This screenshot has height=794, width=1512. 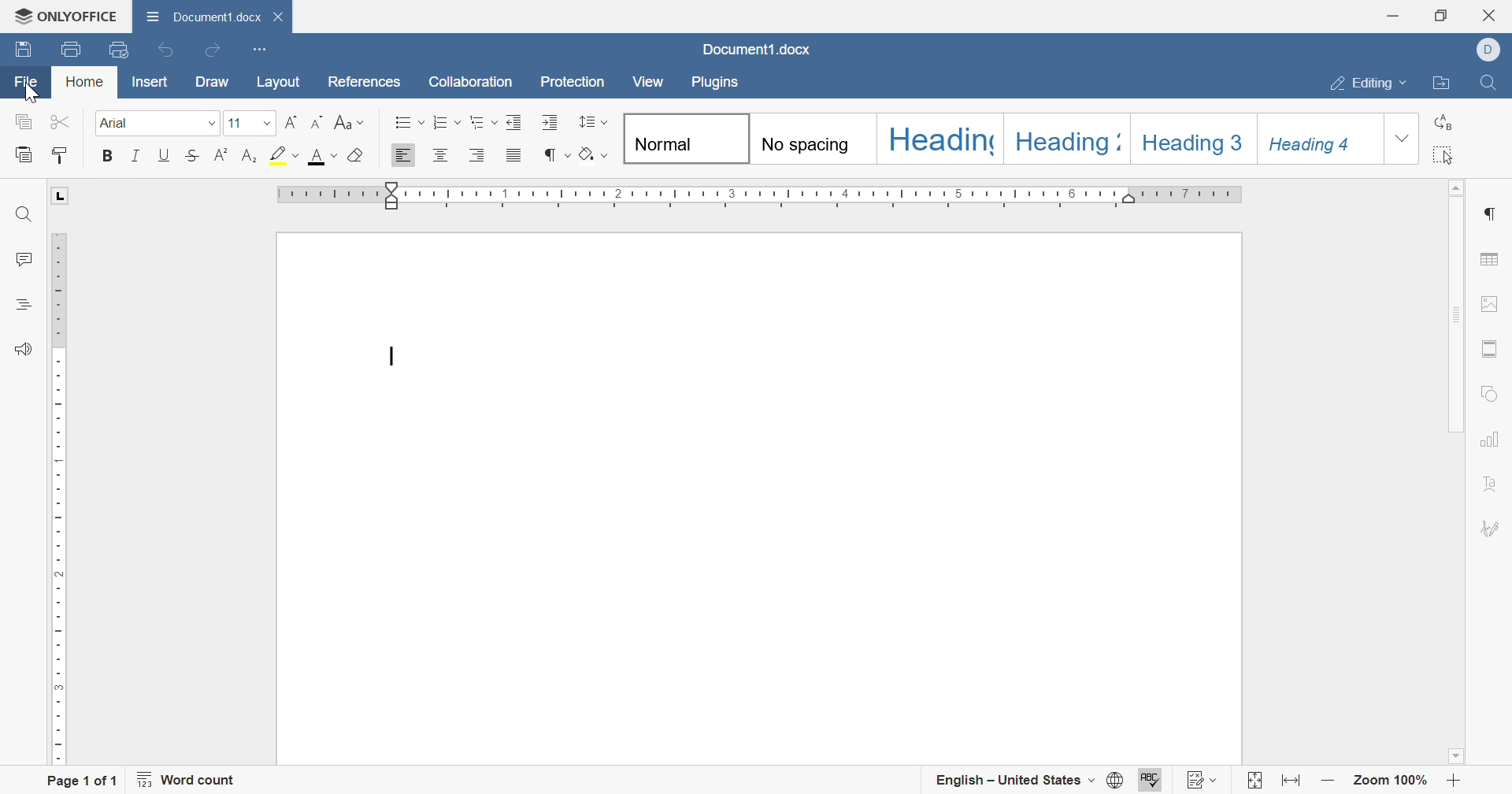 I want to click on draw, so click(x=213, y=82).